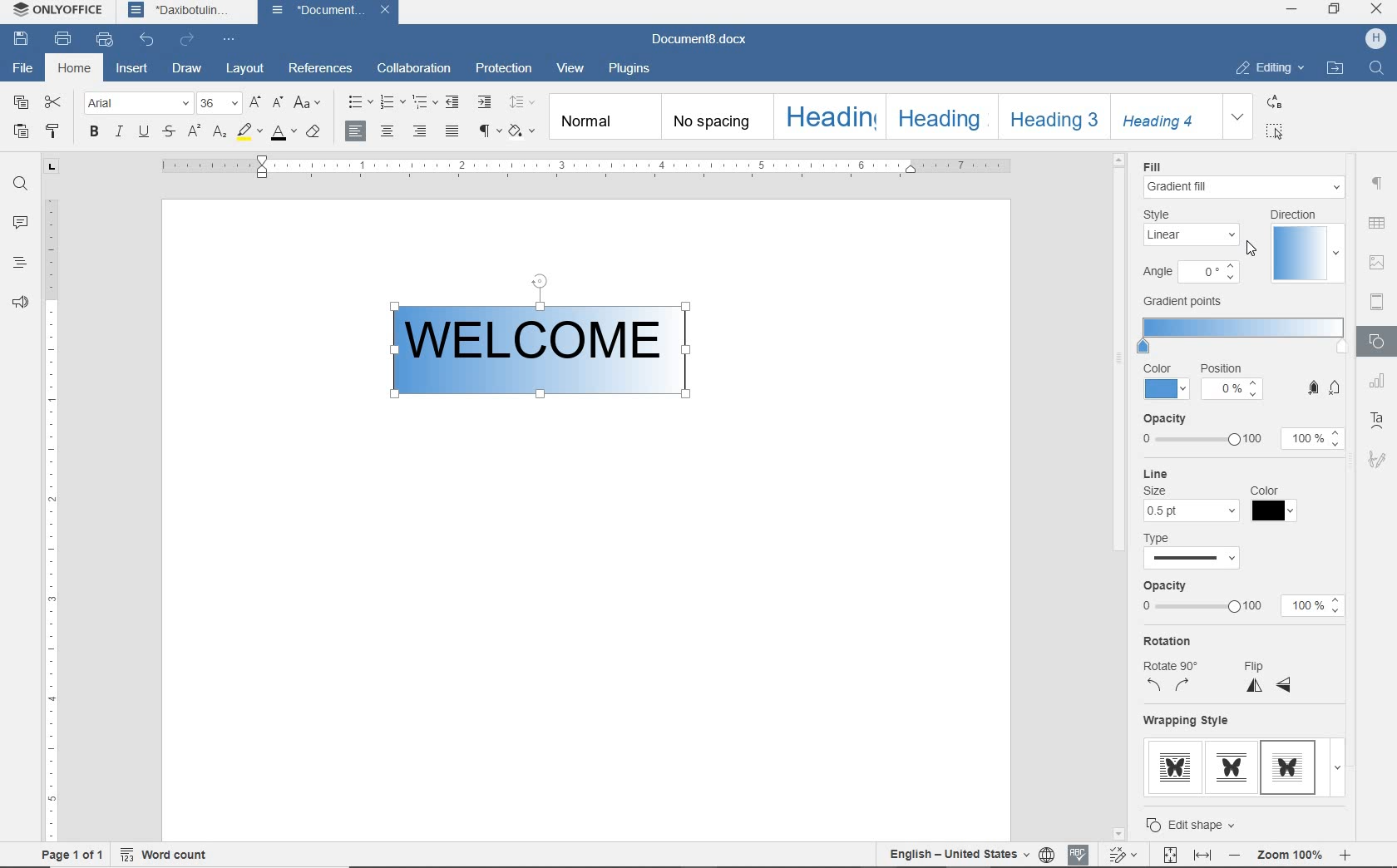  I want to click on Gradient points, so click(1182, 302).